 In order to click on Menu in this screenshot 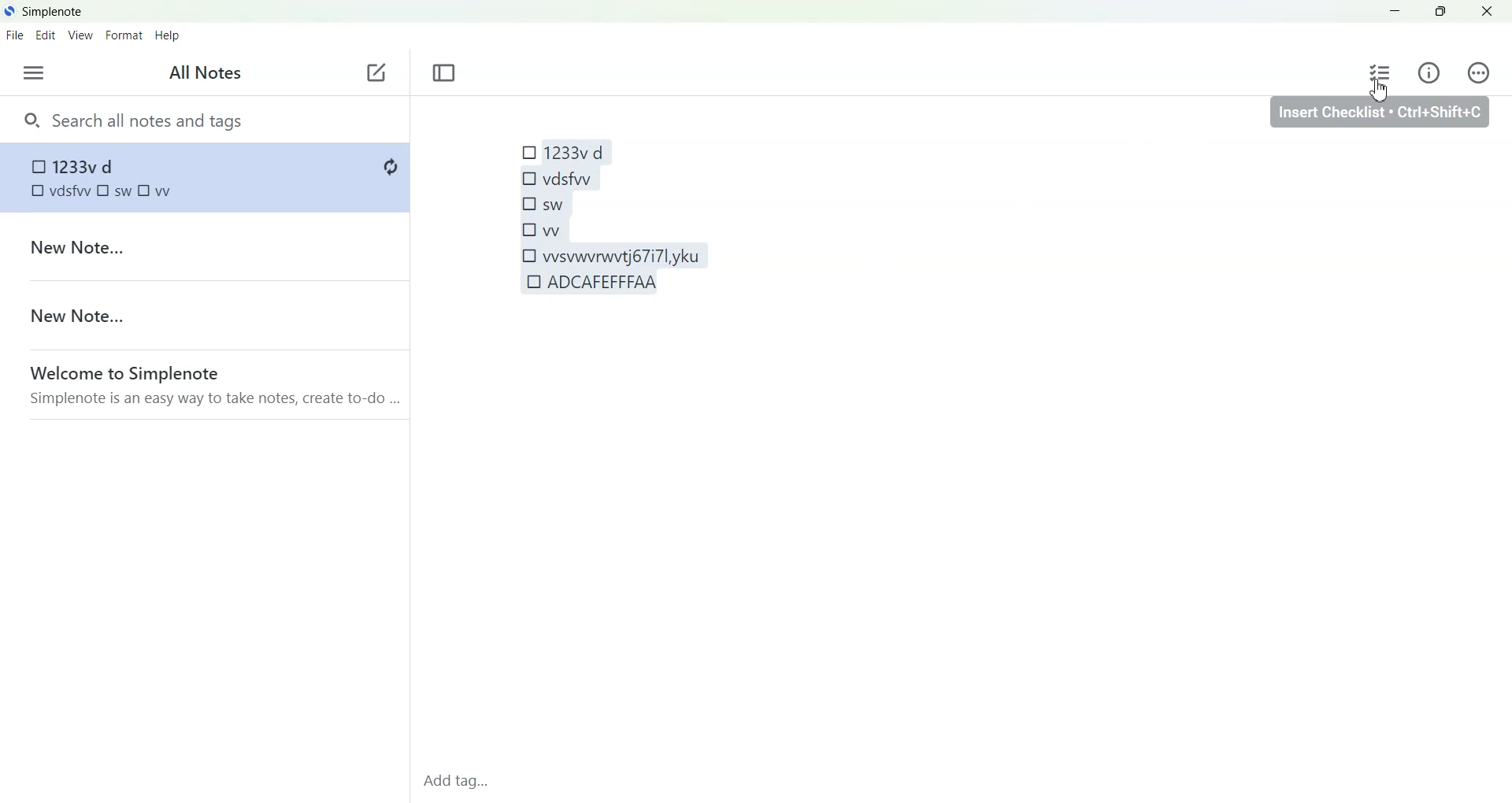, I will do `click(34, 73)`.